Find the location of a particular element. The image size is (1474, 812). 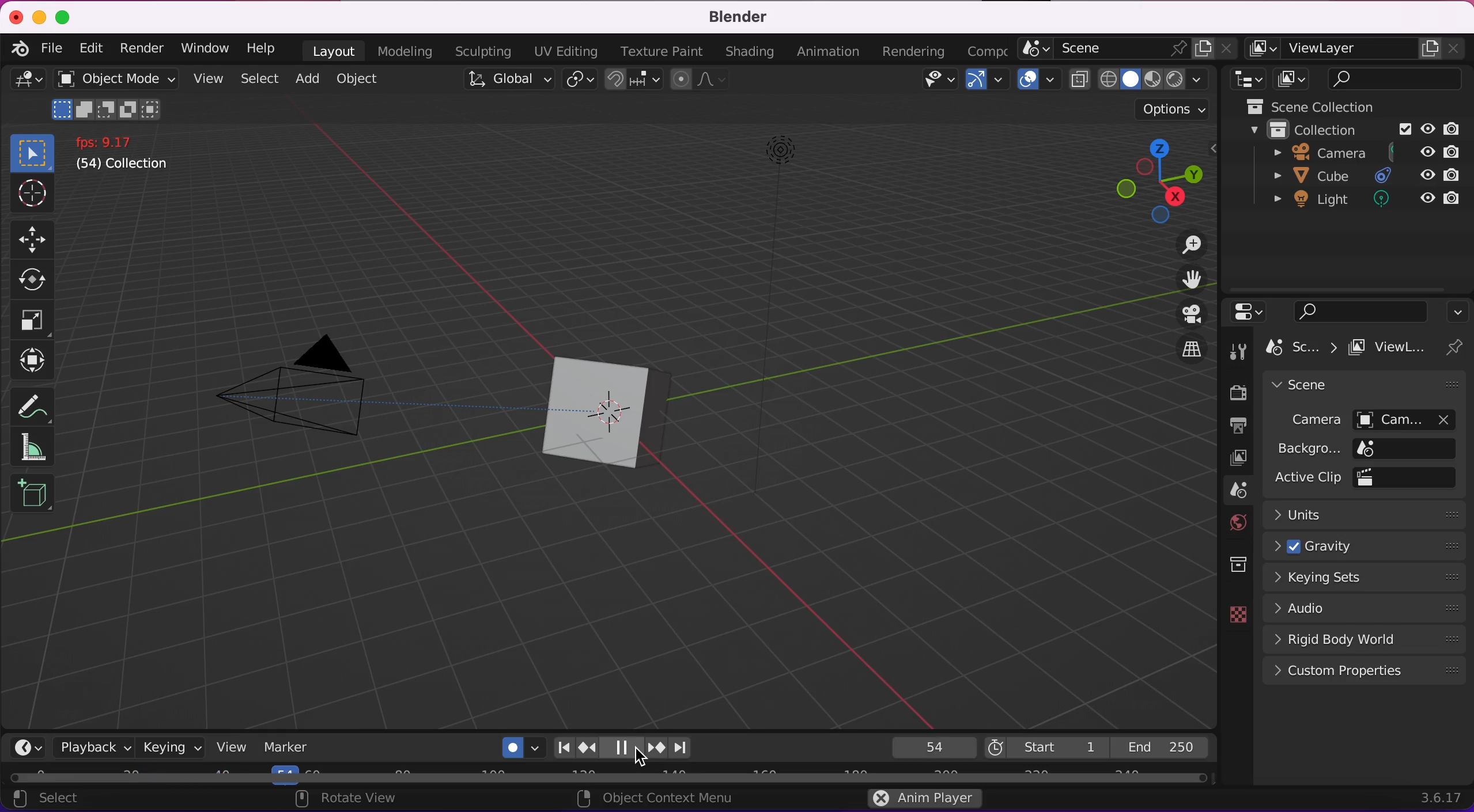

jump to key point is located at coordinates (655, 748).